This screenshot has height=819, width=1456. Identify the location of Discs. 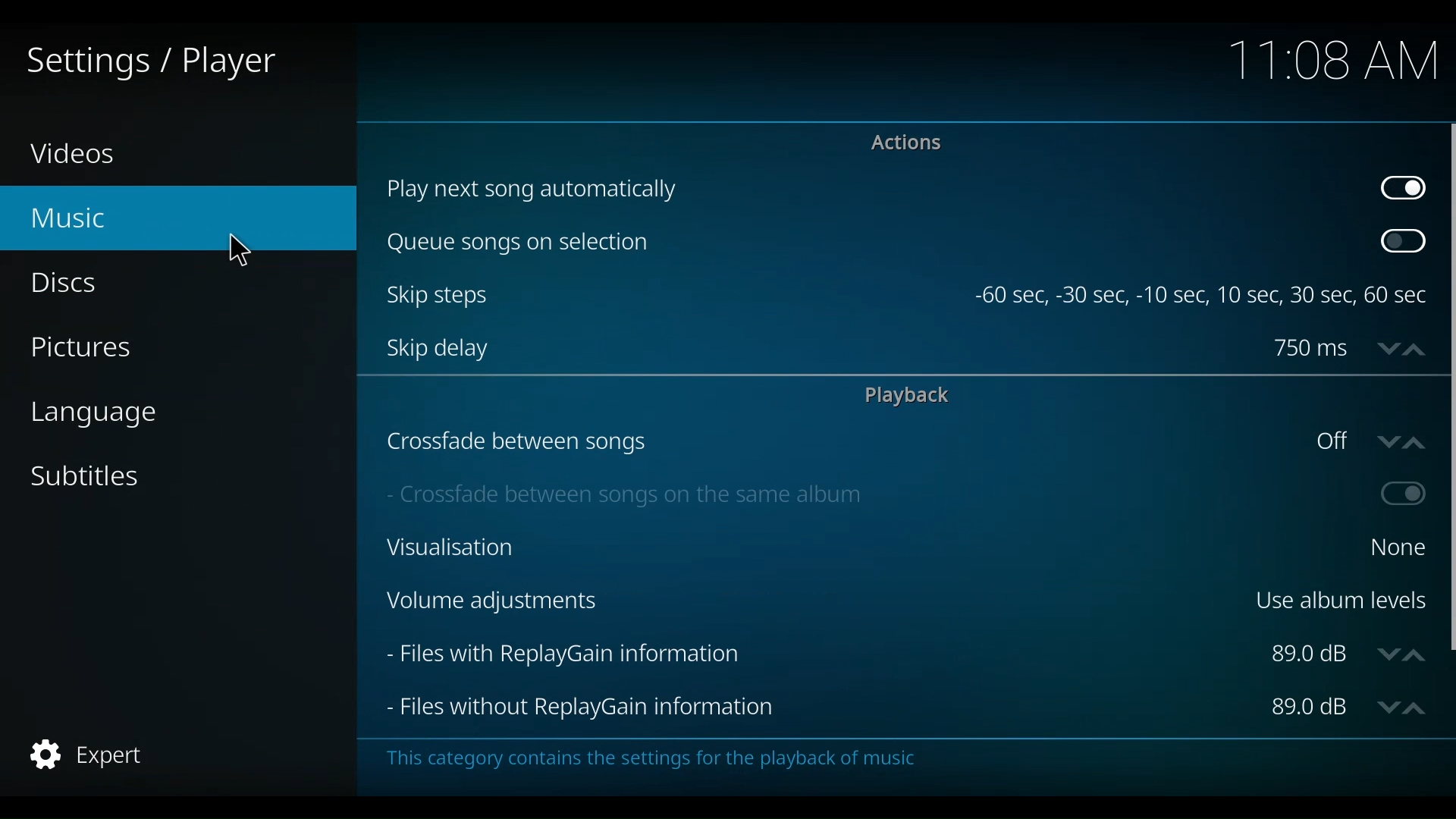
(70, 284).